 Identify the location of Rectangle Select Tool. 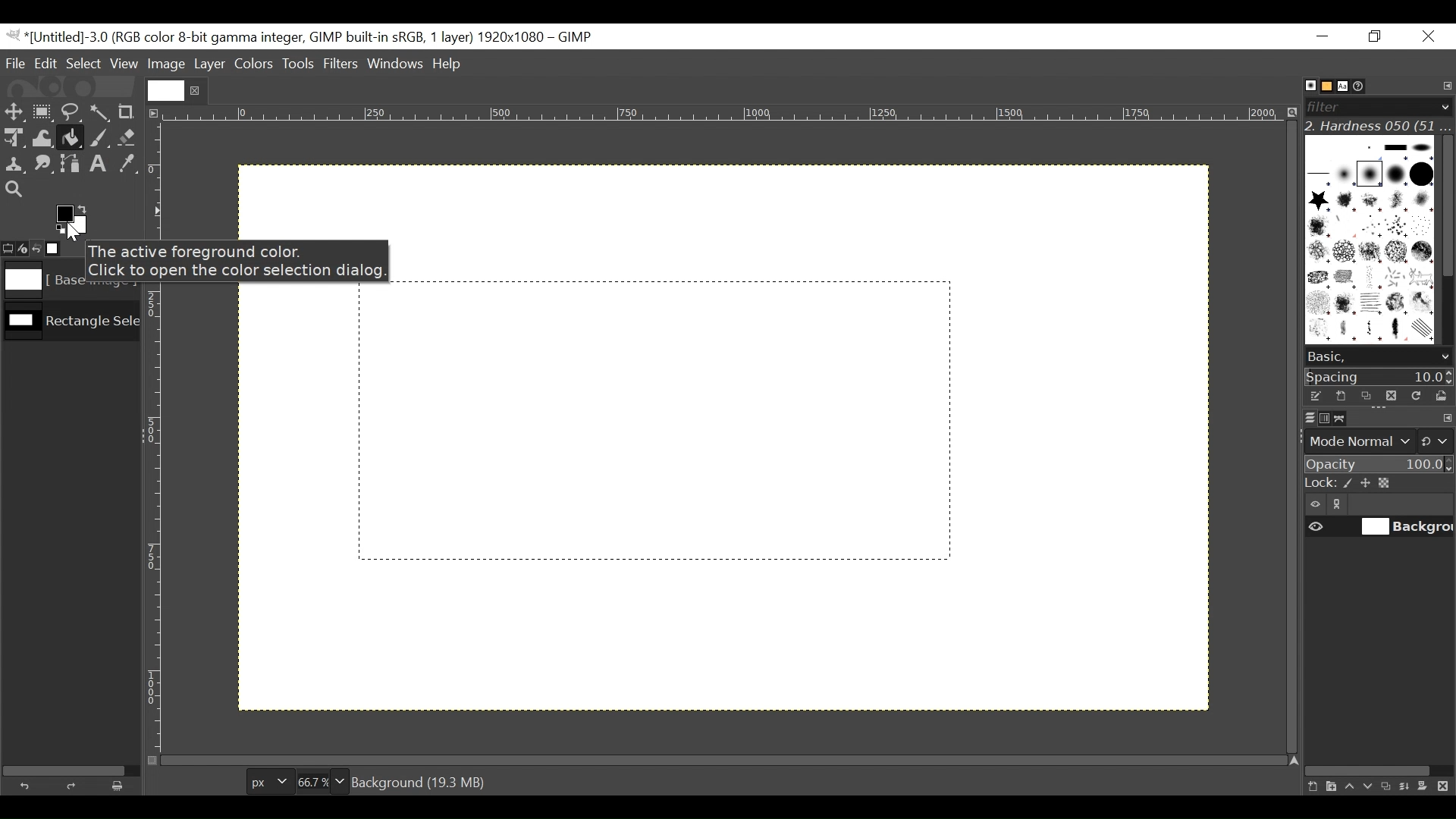
(42, 111).